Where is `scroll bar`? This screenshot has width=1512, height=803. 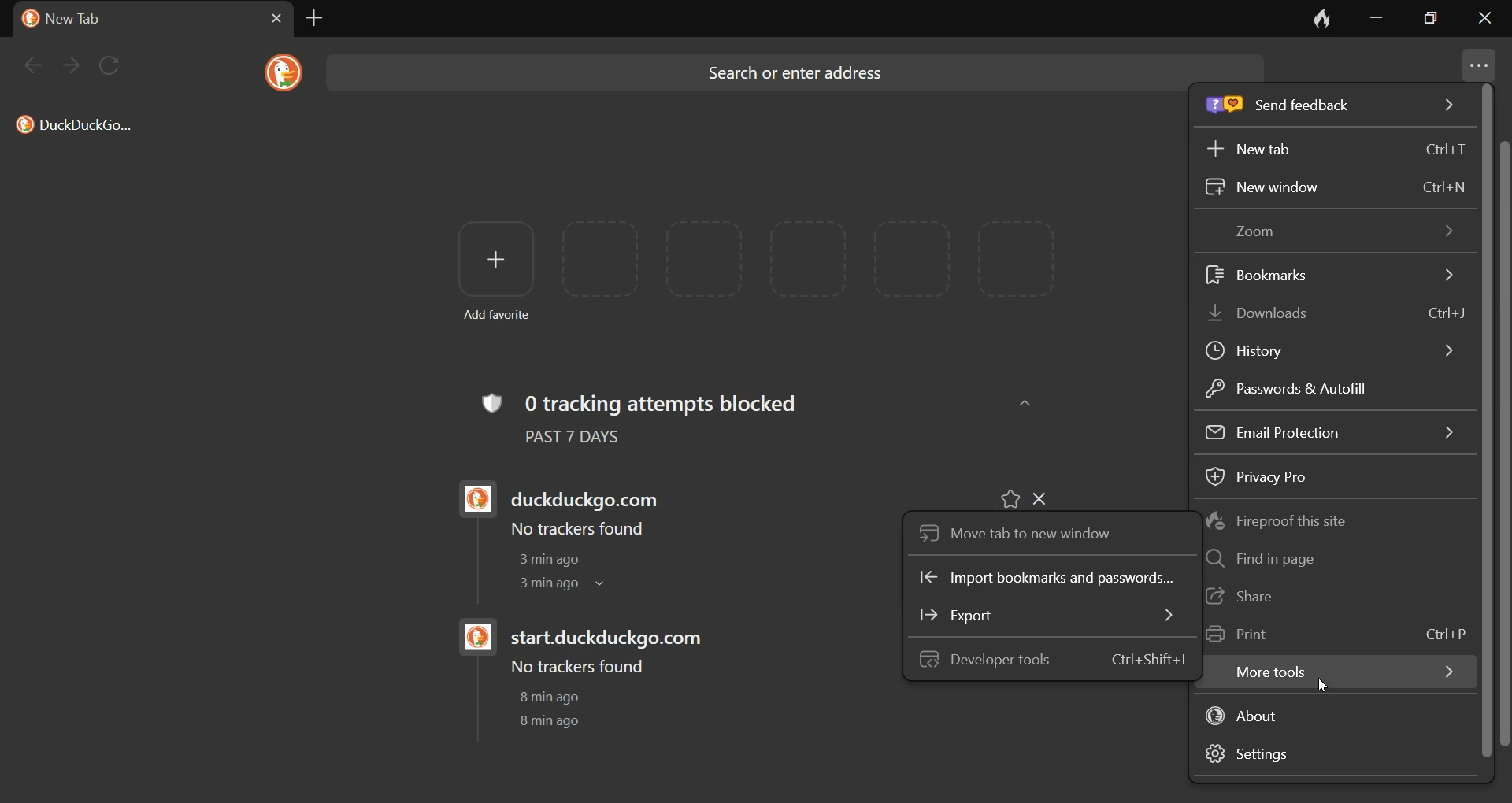
scroll bar is located at coordinates (1489, 422).